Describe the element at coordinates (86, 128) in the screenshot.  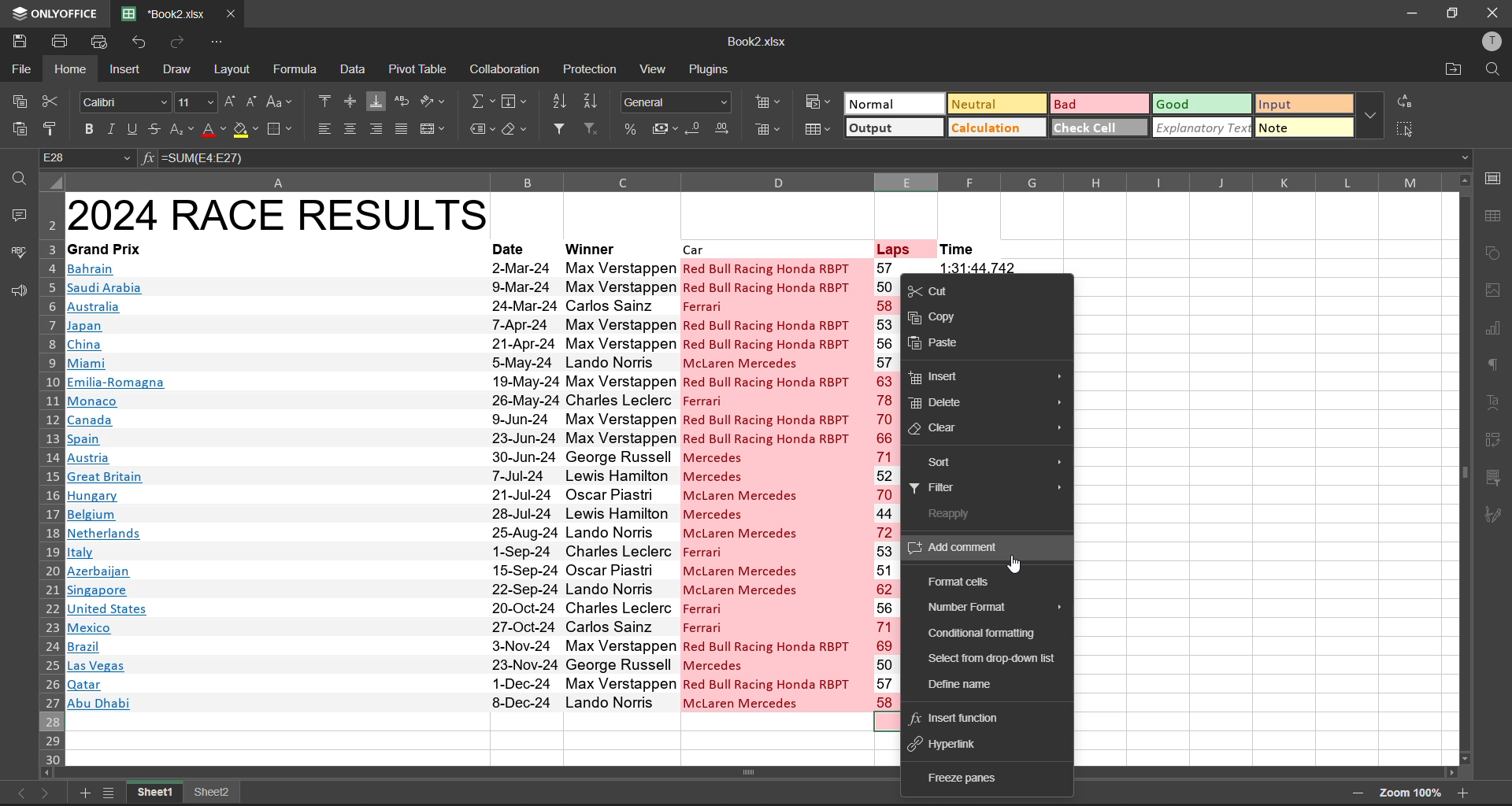
I see `bold` at that location.